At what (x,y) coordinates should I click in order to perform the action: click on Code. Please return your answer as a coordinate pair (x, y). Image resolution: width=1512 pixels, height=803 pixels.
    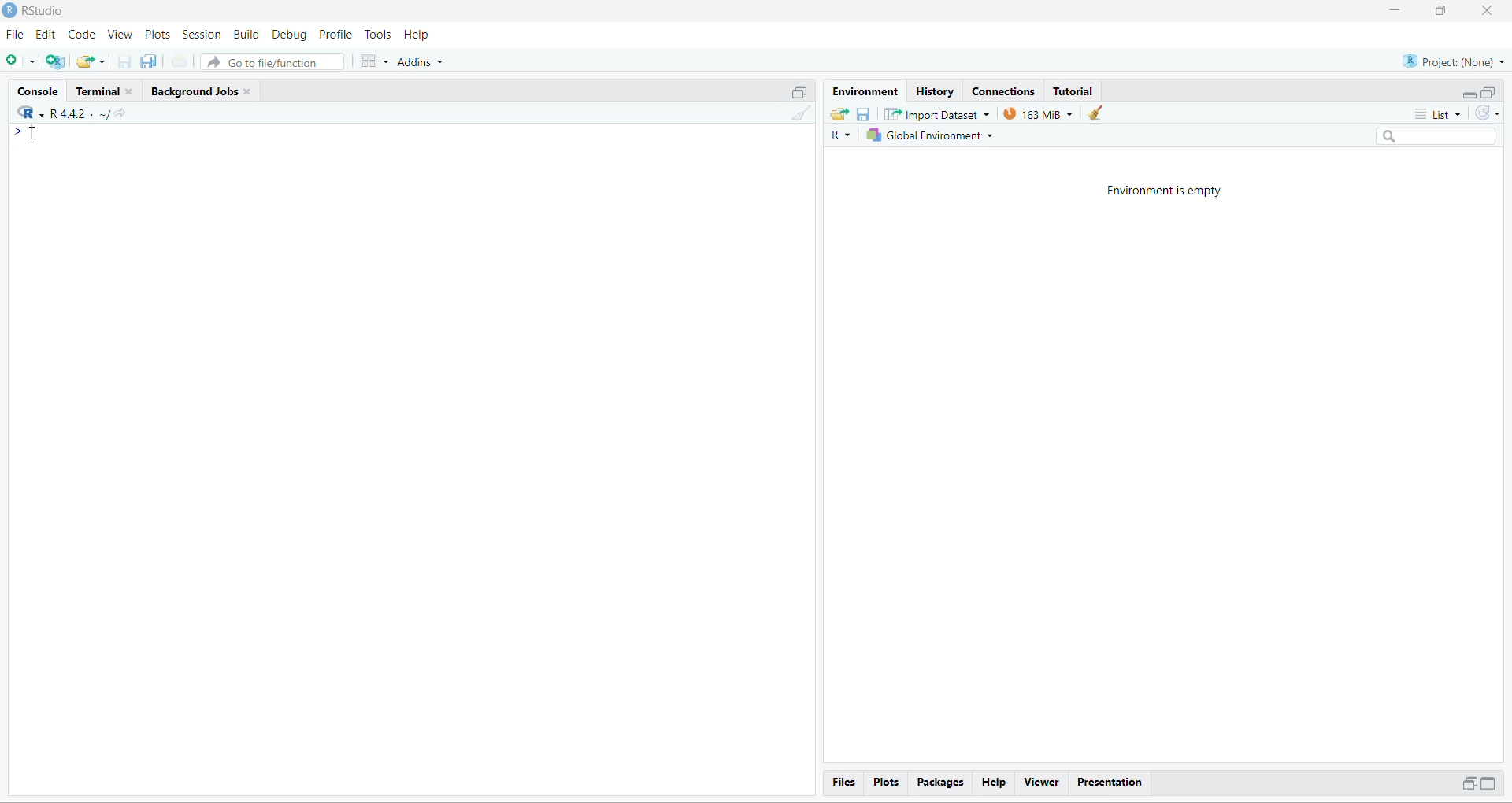
    Looking at the image, I should click on (80, 35).